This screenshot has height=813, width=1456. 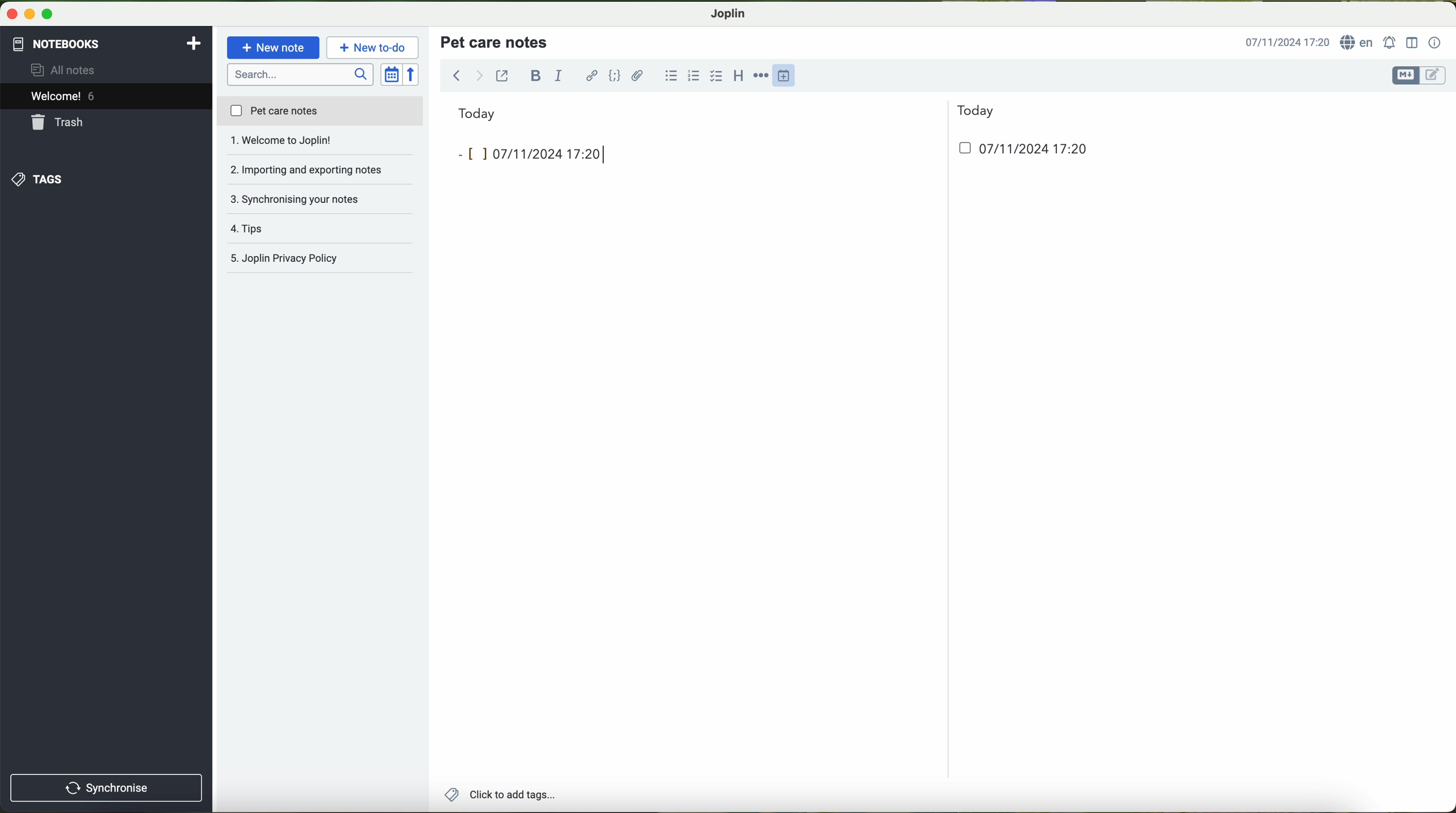 I want to click on title pet care notes, so click(x=496, y=41).